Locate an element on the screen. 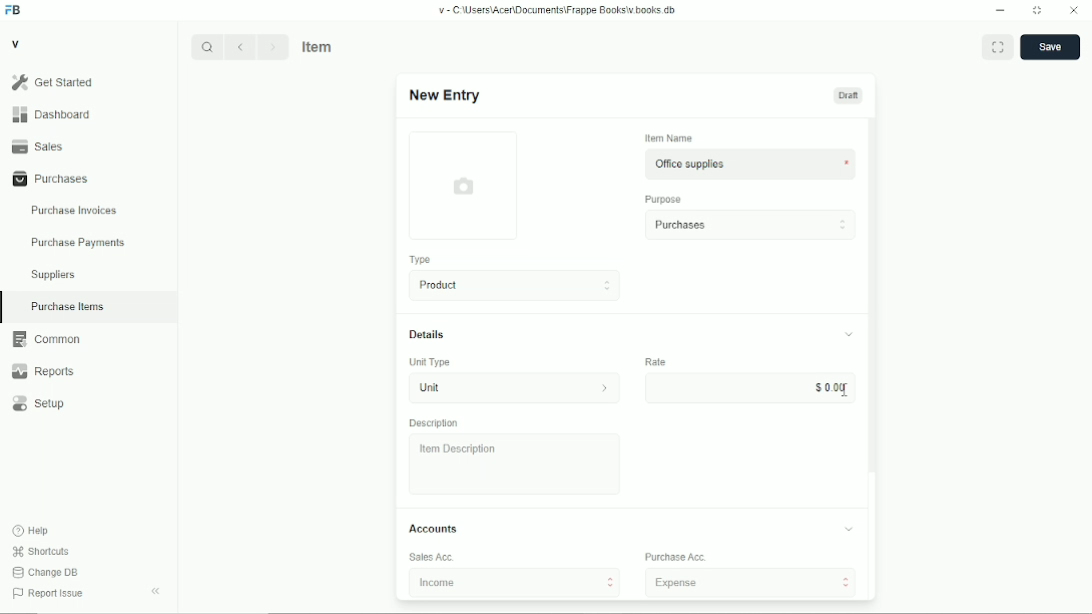  item name is located at coordinates (670, 138).